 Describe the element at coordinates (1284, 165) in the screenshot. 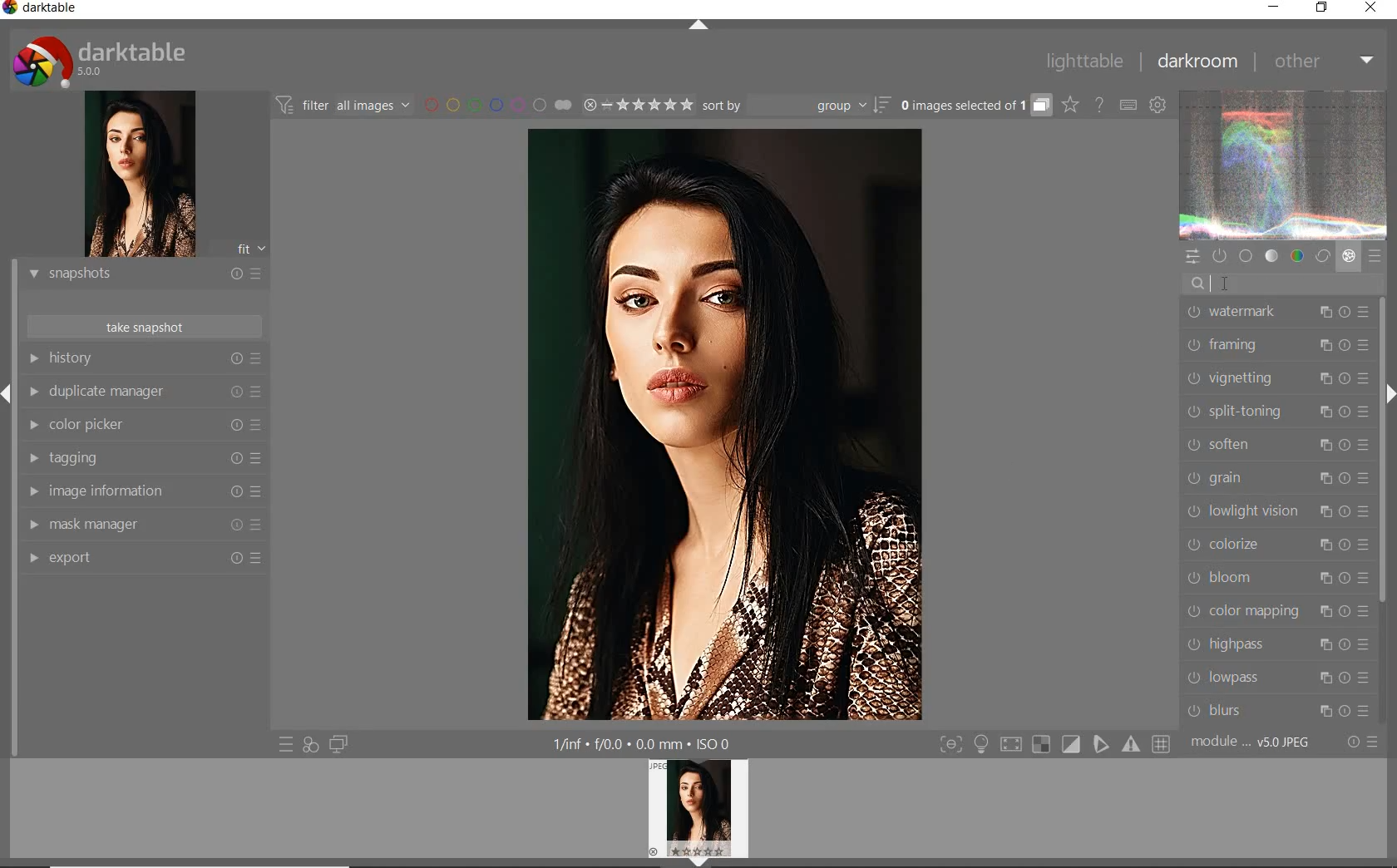

I see `waveform` at that location.